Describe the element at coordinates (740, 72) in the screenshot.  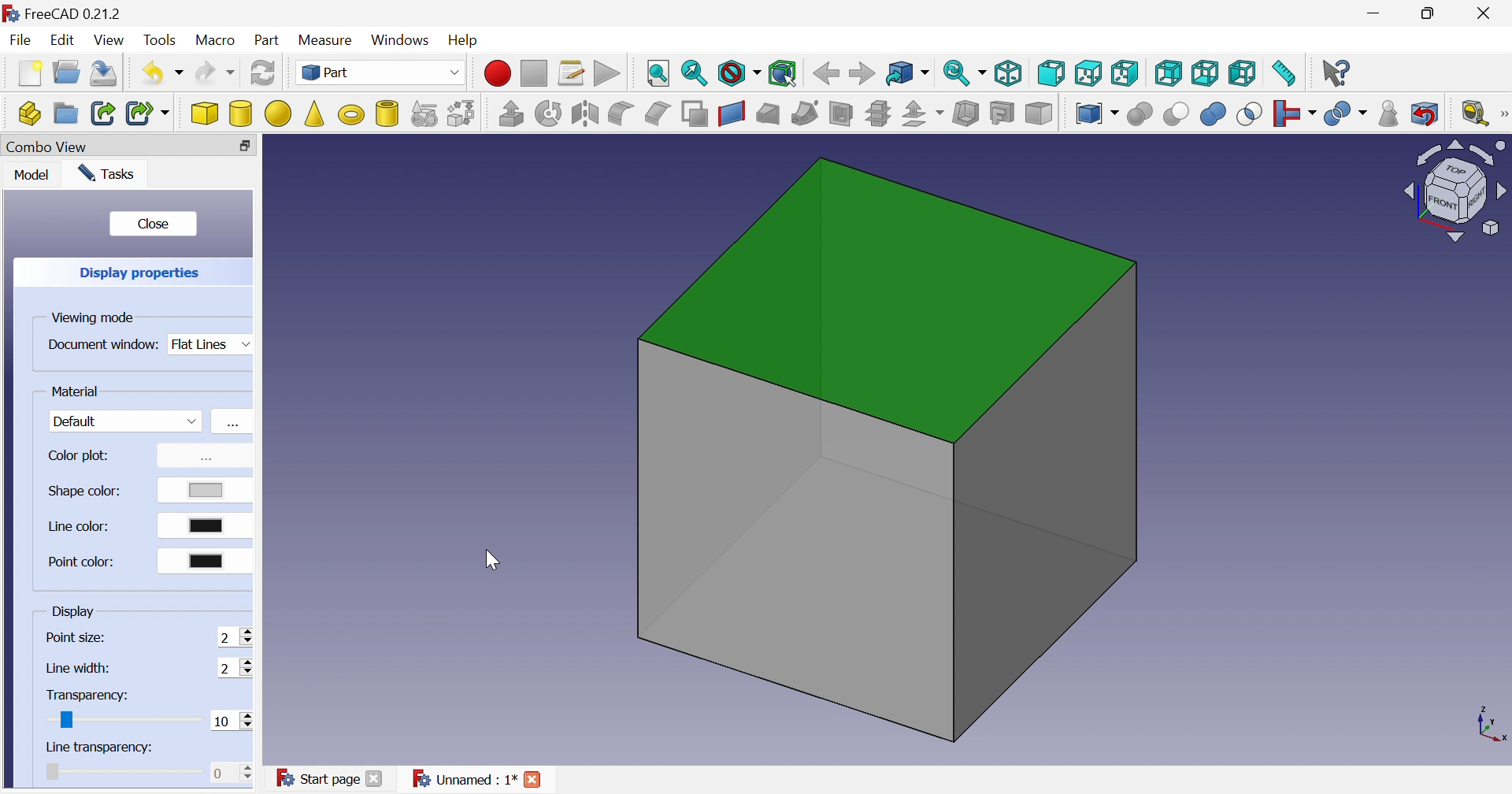
I see `Draw style` at that location.